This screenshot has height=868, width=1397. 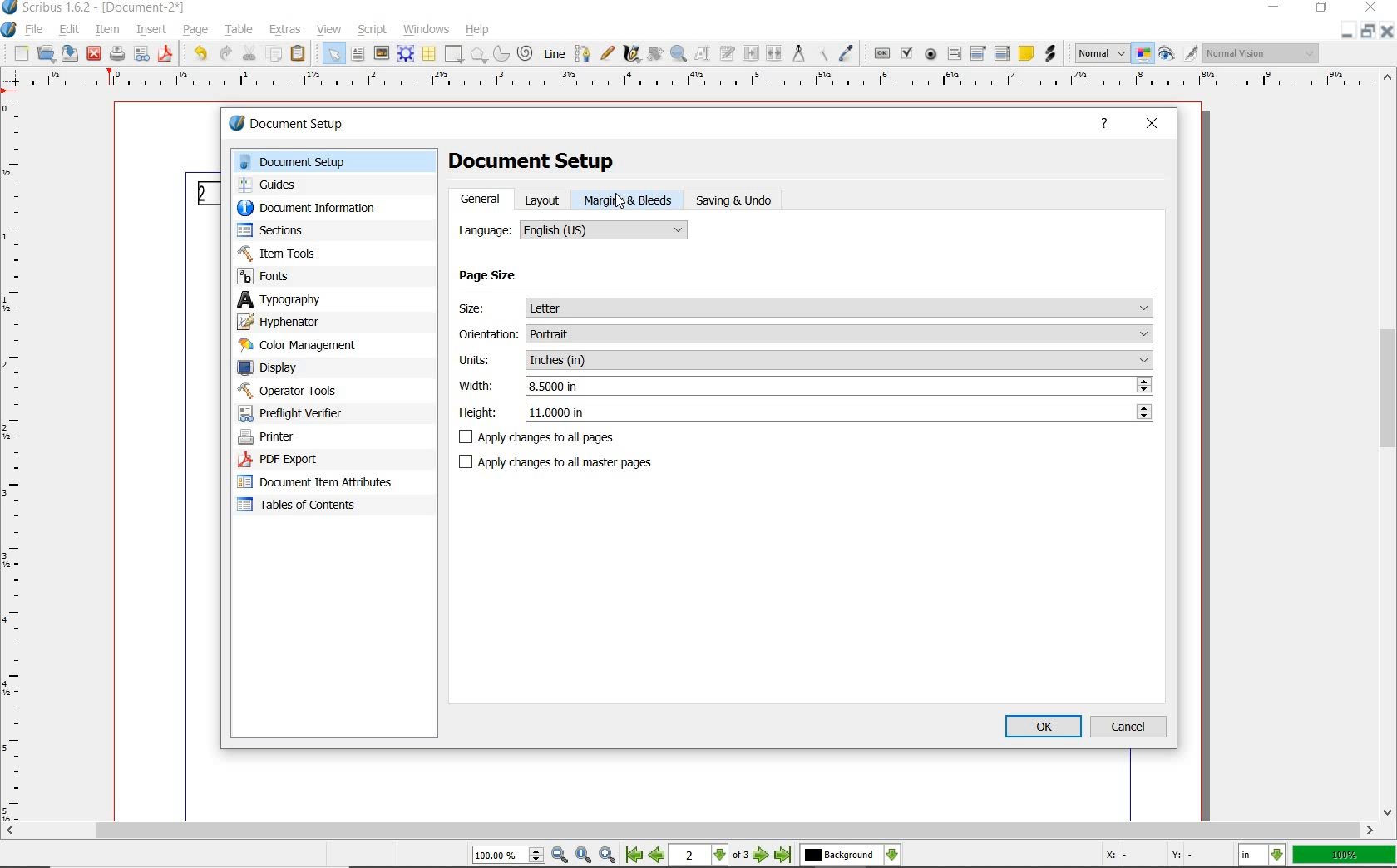 I want to click on visual appearance of the display, so click(x=1263, y=53).